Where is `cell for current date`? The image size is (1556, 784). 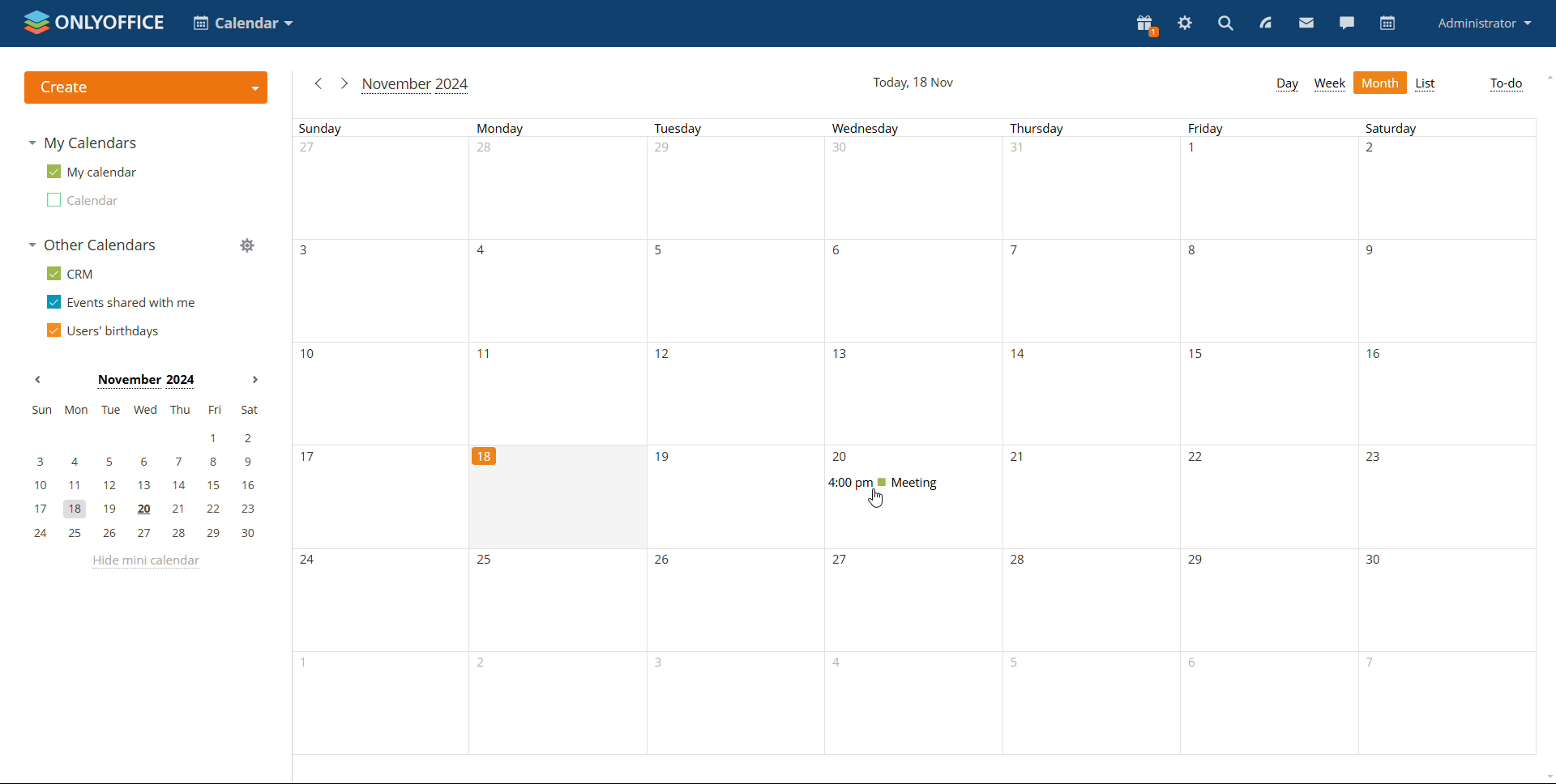
cell for current date is located at coordinates (557, 497).